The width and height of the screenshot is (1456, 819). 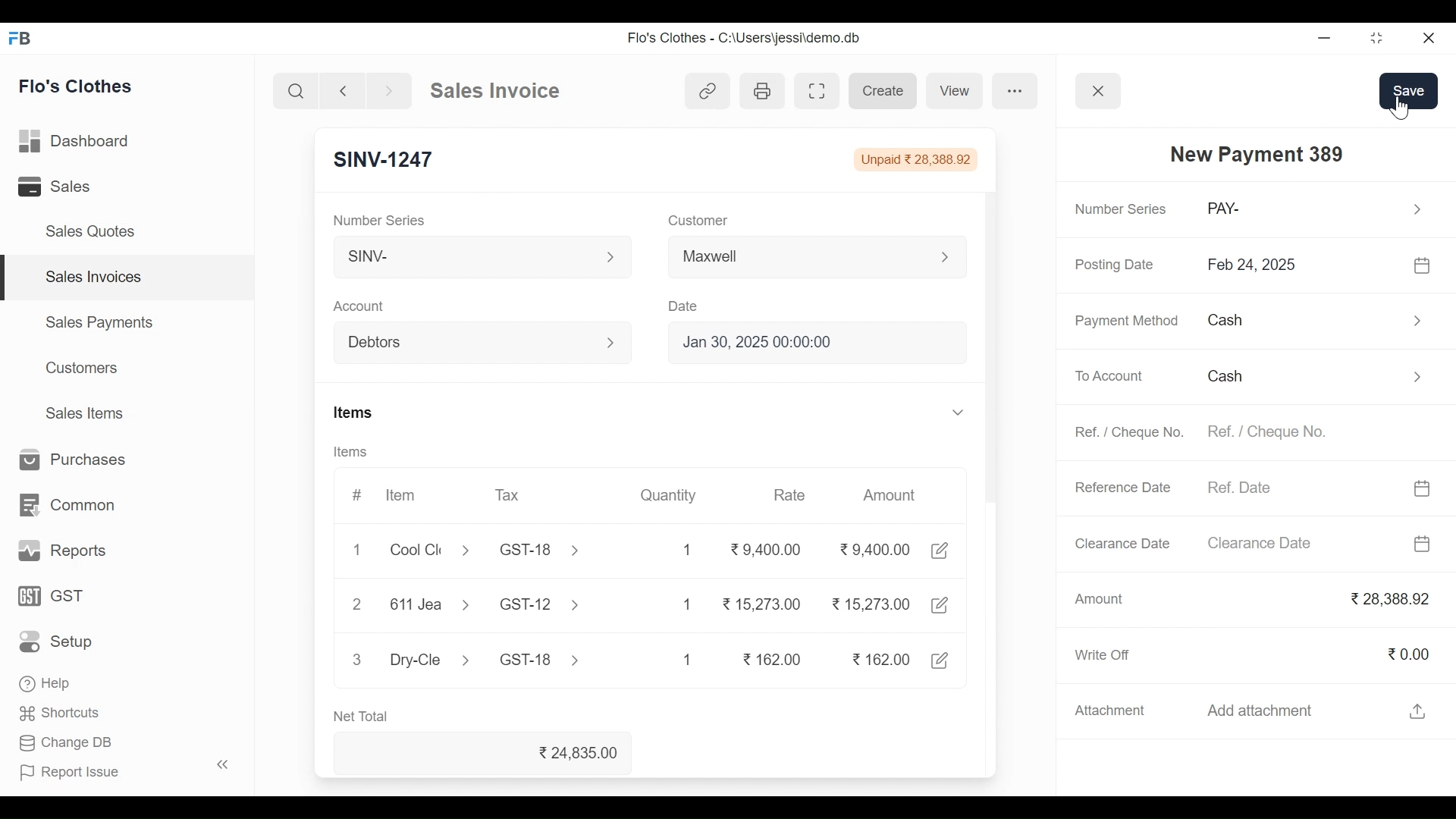 What do you see at coordinates (893, 494) in the screenshot?
I see `Amount` at bounding box center [893, 494].